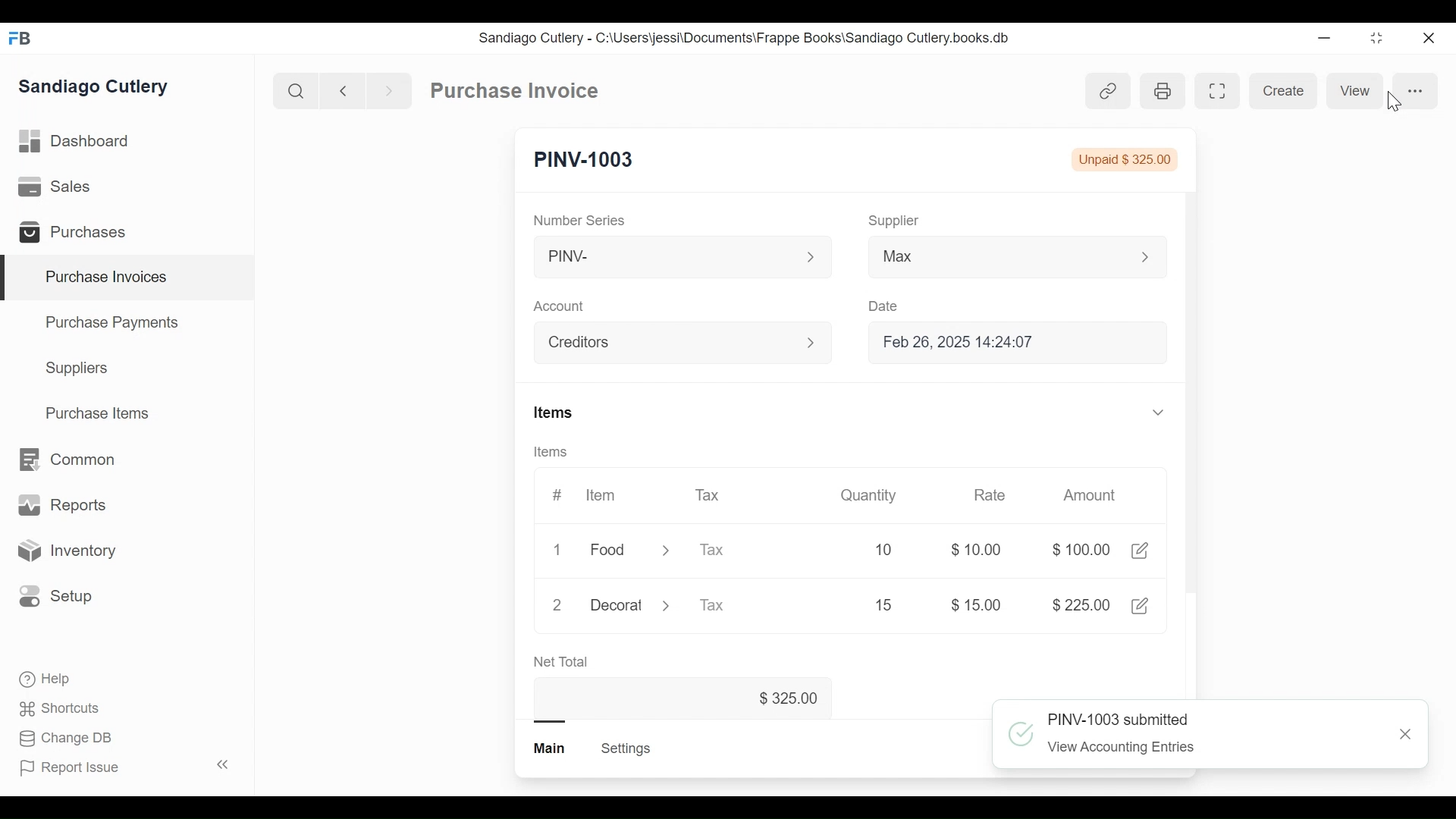 This screenshot has height=819, width=1456. Describe the element at coordinates (625, 748) in the screenshot. I see `Settings` at that location.